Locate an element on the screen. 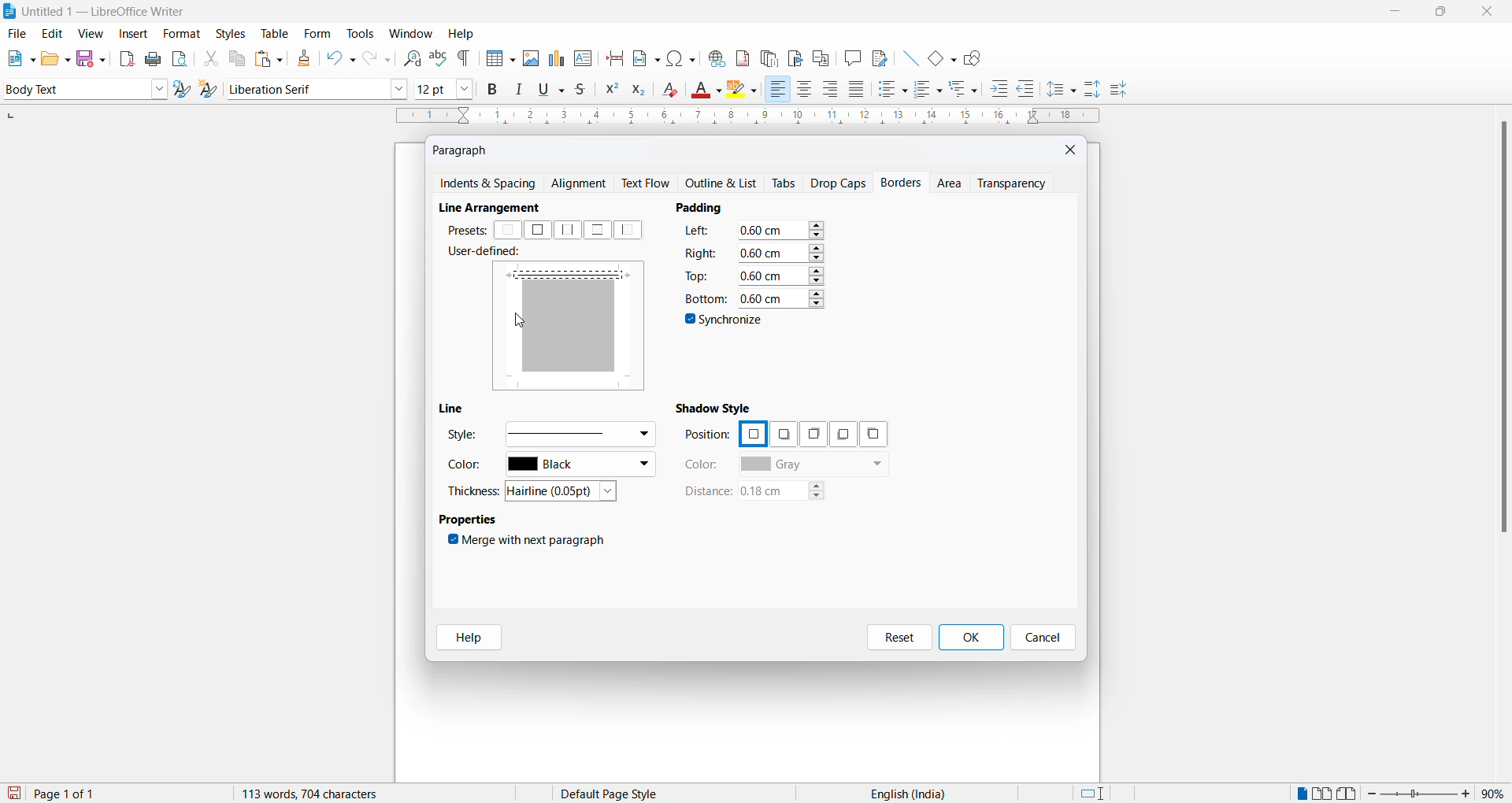  presets is located at coordinates (465, 230).